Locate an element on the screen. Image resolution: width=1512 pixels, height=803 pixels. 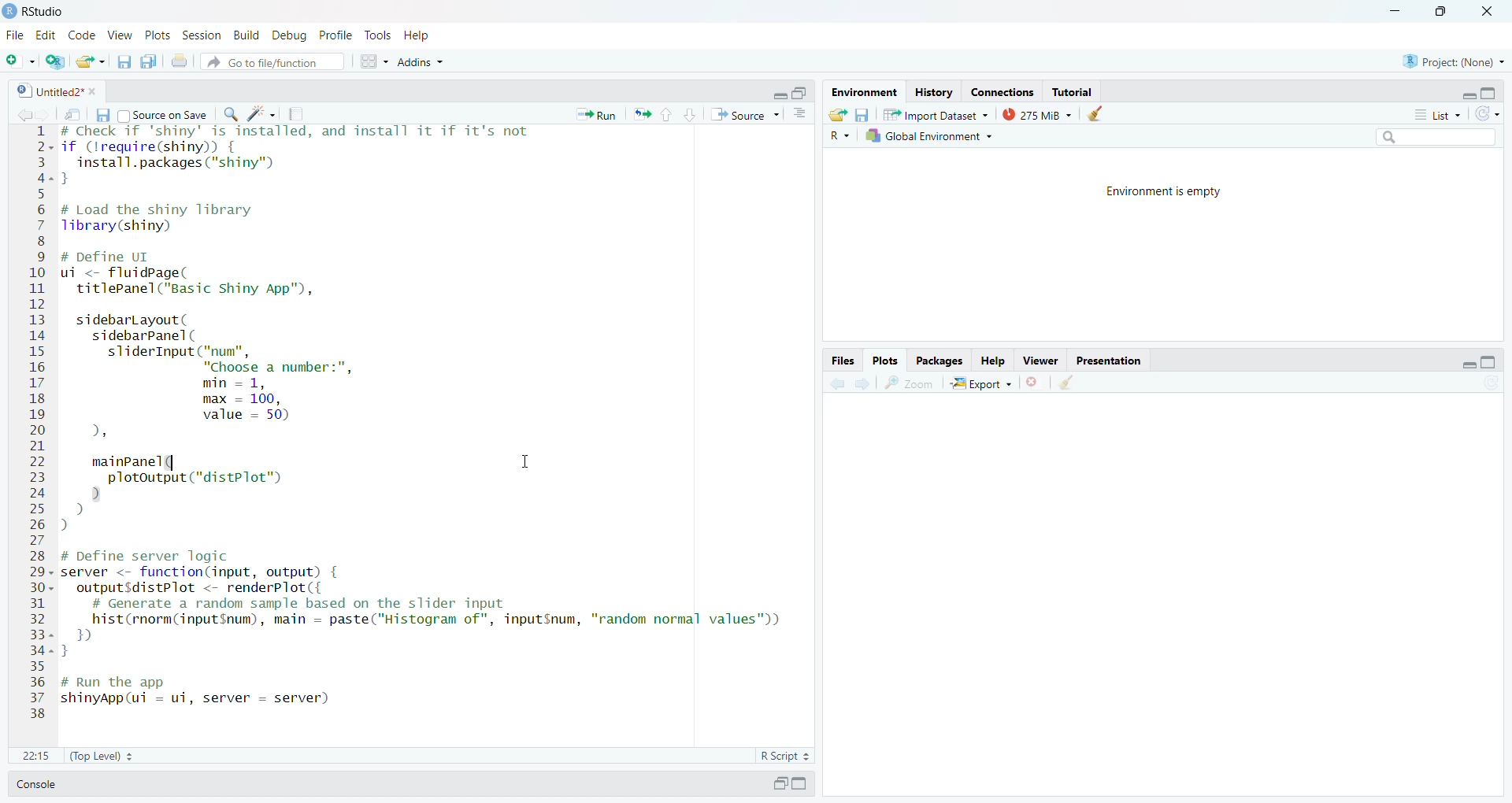
Export is located at coordinates (980, 383).